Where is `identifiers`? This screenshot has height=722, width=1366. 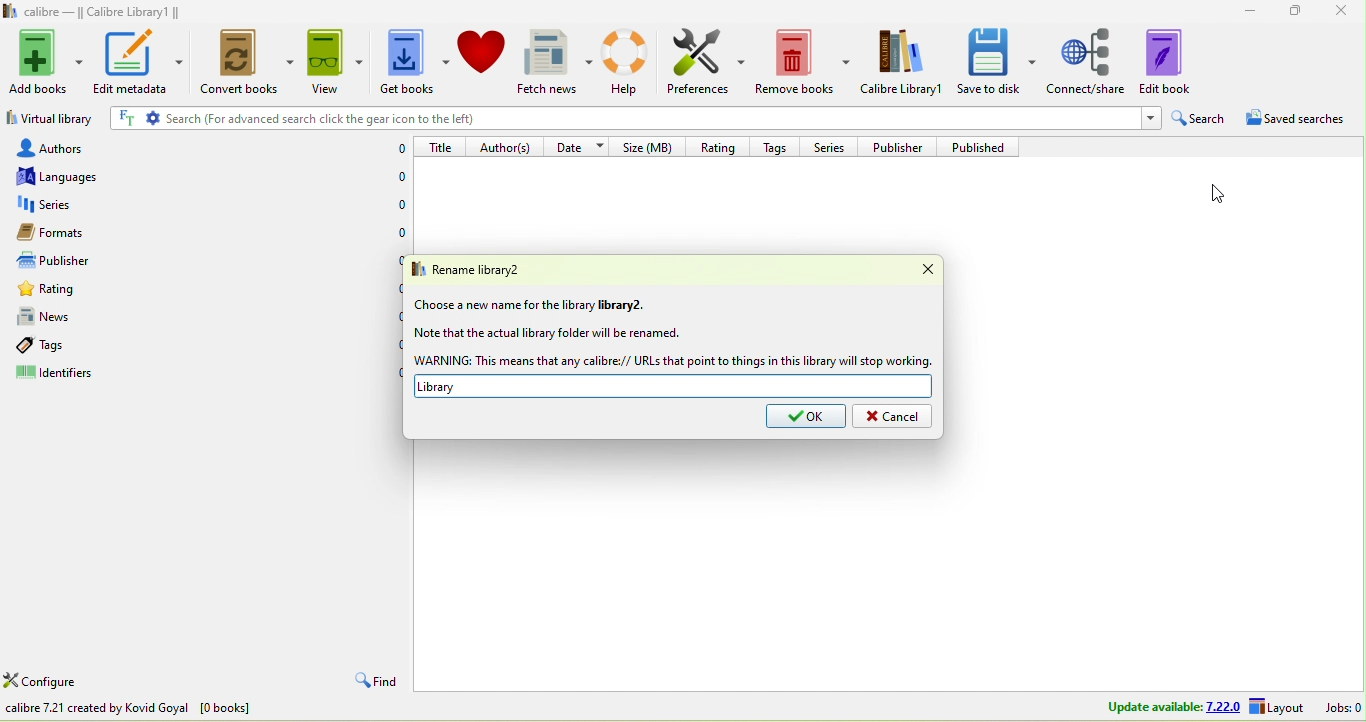
identifiers is located at coordinates (75, 375).